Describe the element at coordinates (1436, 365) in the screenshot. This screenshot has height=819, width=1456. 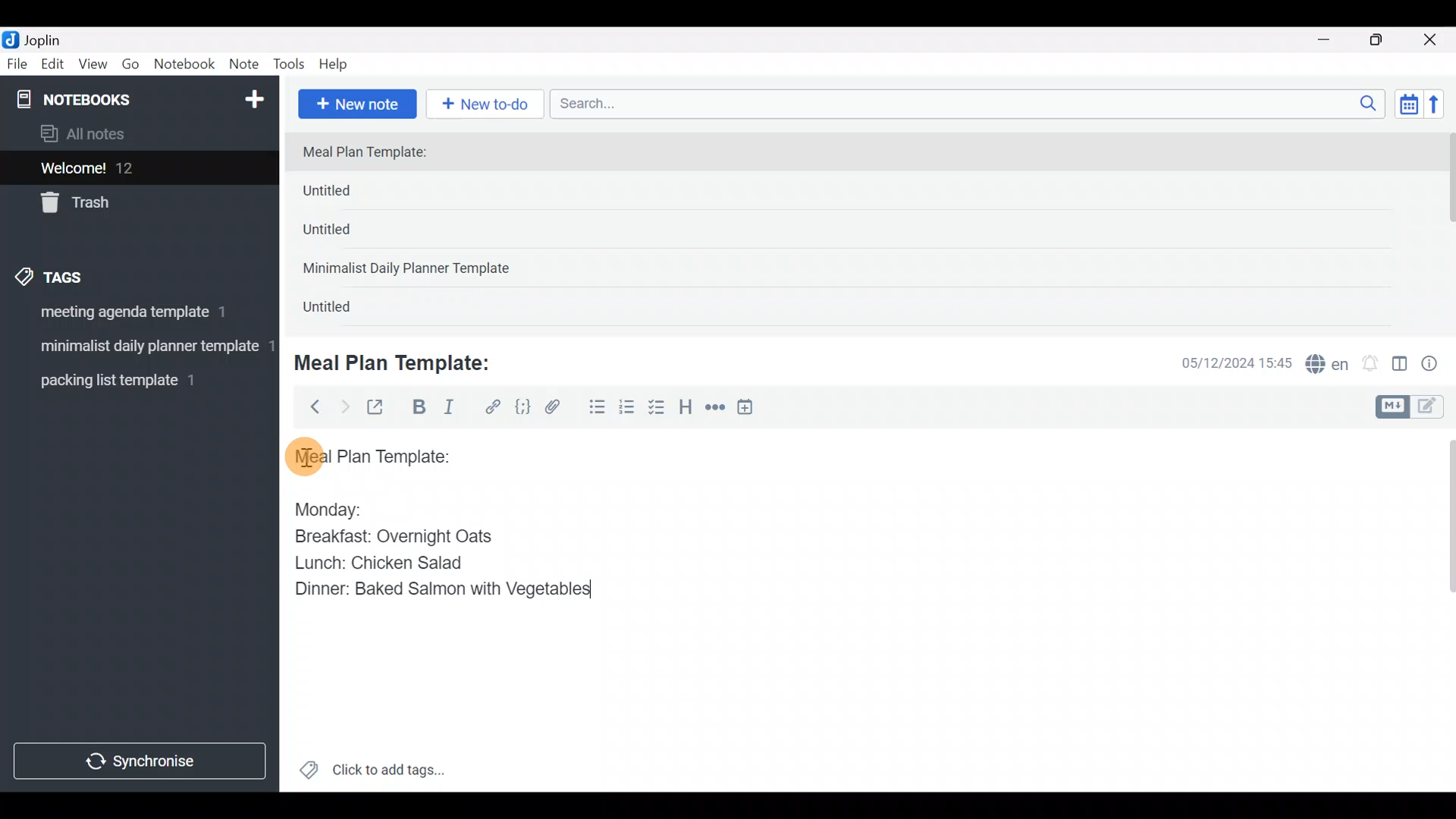
I see `Note properties` at that location.